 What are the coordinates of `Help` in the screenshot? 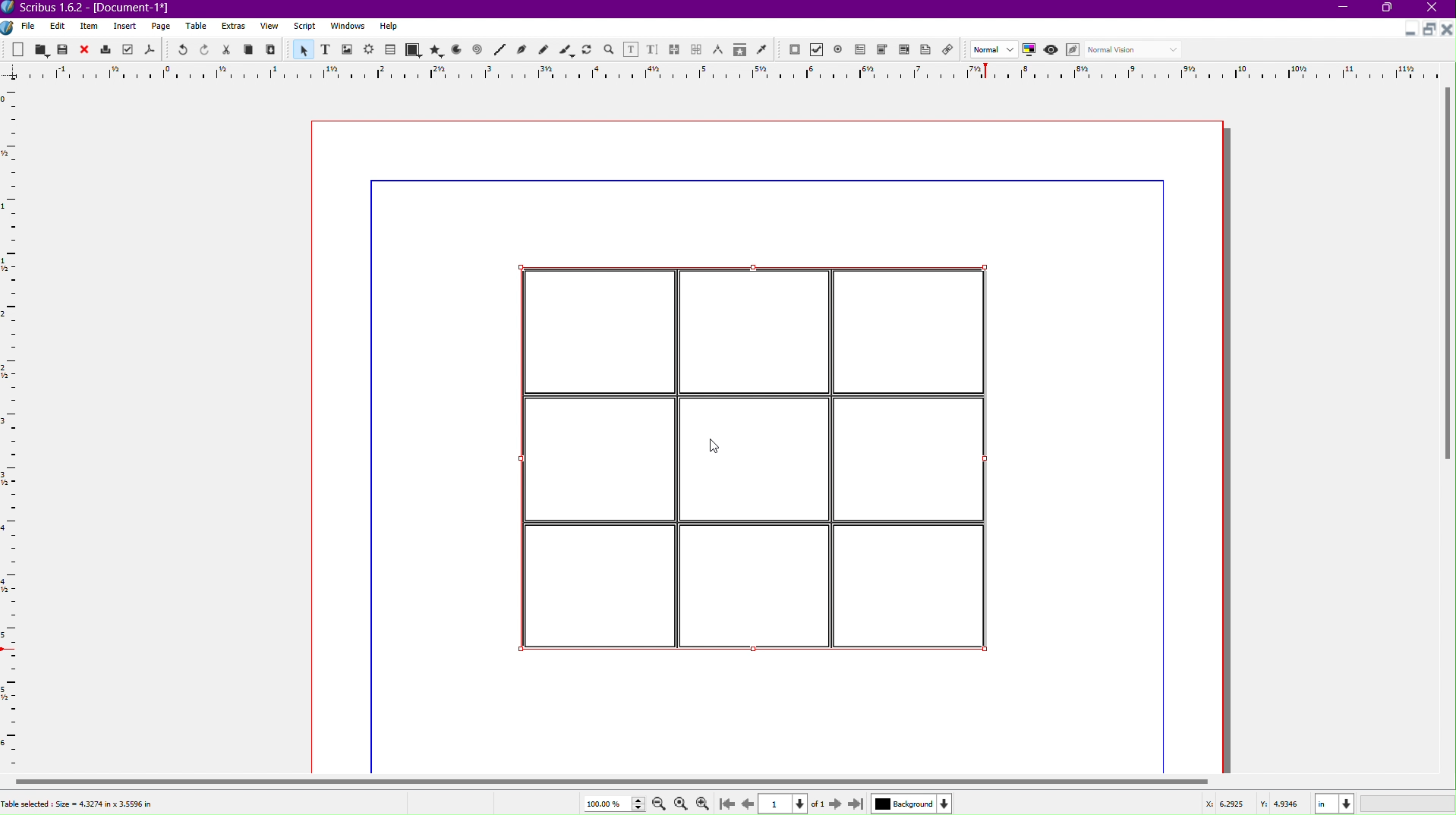 It's located at (389, 26).